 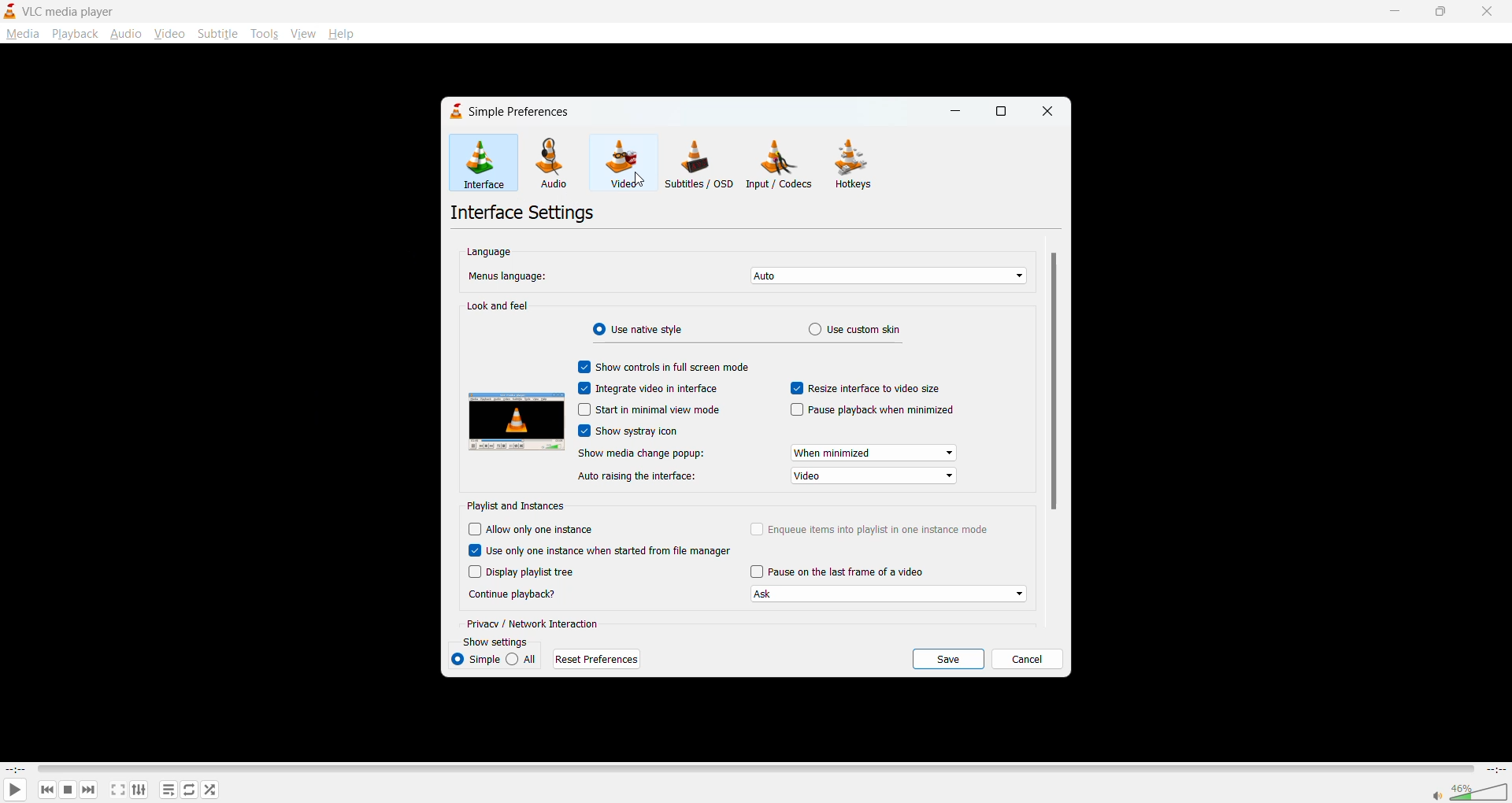 What do you see at coordinates (75, 34) in the screenshot?
I see `playback` at bounding box center [75, 34].